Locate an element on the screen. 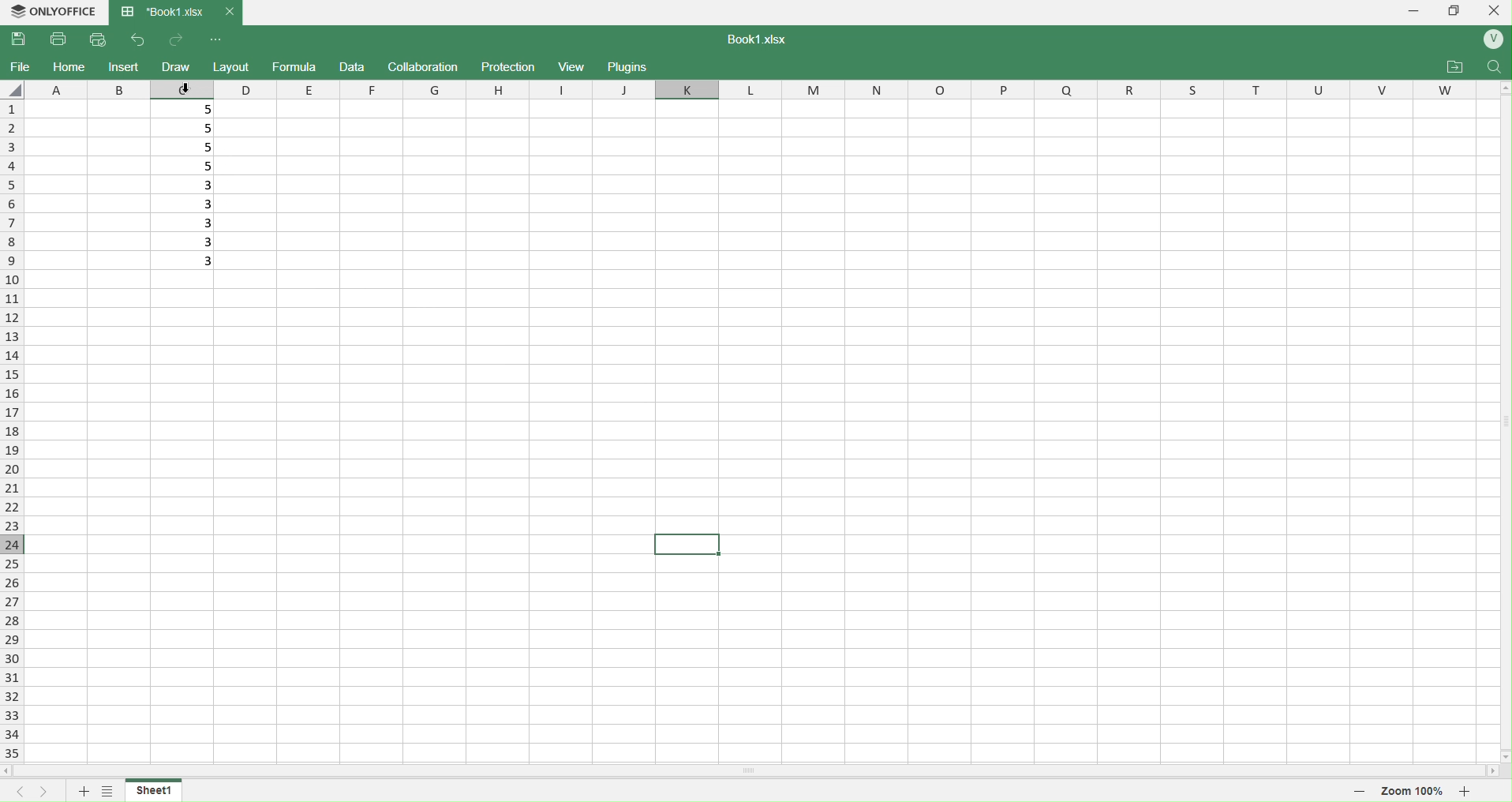  next sheet is located at coordinates (49, 792).